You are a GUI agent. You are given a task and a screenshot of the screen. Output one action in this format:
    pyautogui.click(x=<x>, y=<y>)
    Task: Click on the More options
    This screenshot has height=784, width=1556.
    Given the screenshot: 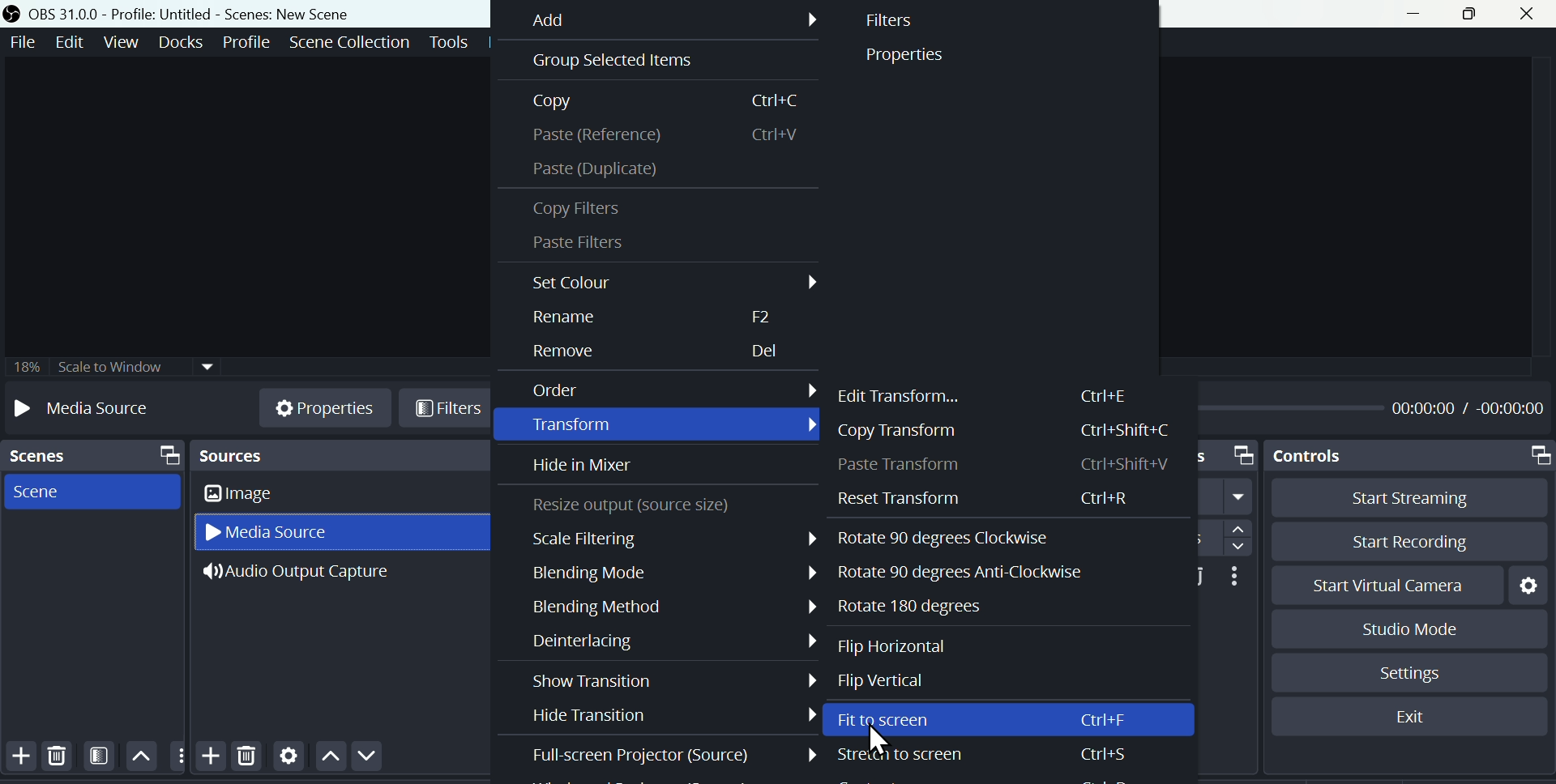 What is the action you would take?
    pyautogui.click(x=1236, y=576)
    